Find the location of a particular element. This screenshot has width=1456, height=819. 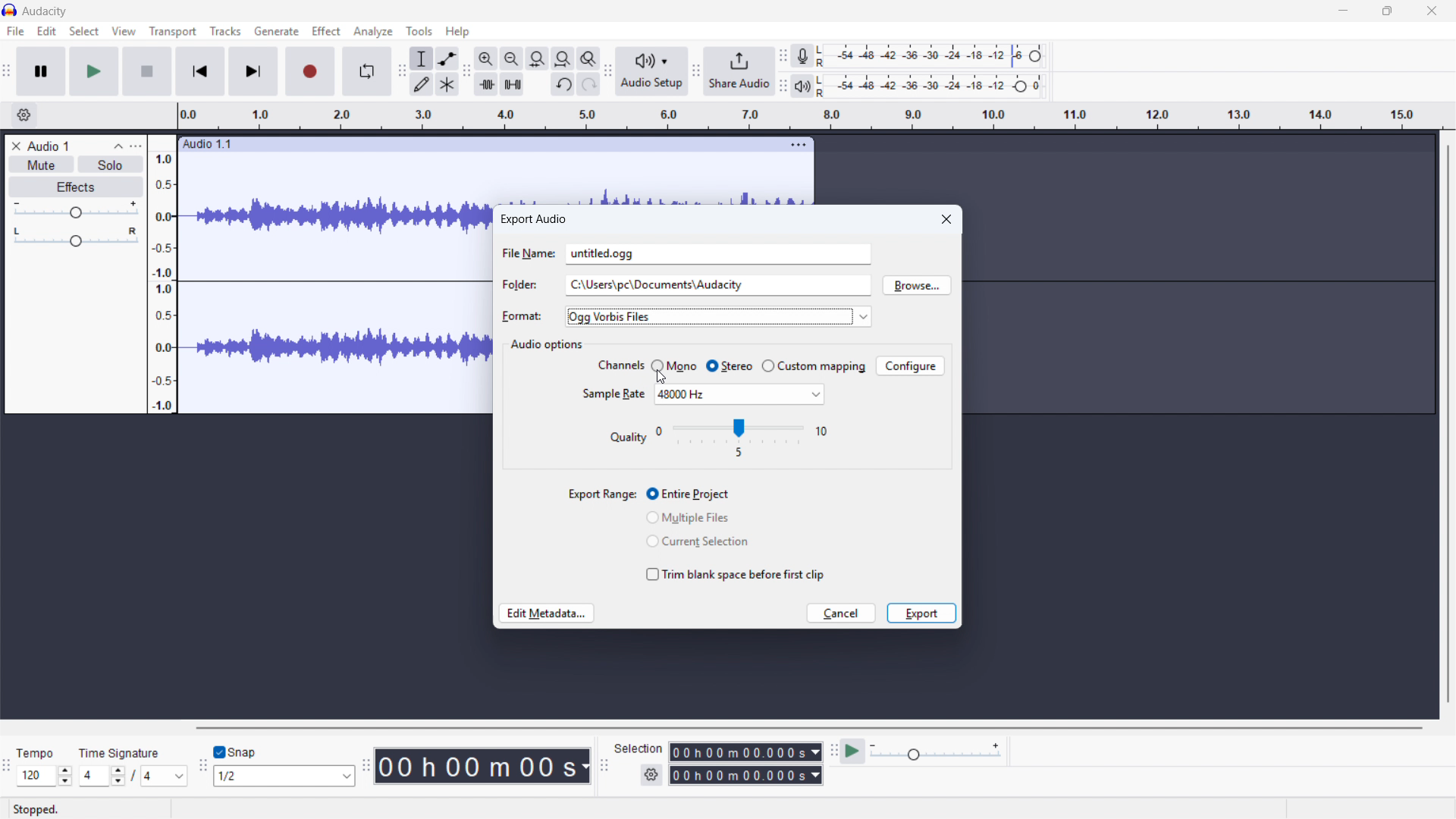

help  is located at coordinates (458, 31).